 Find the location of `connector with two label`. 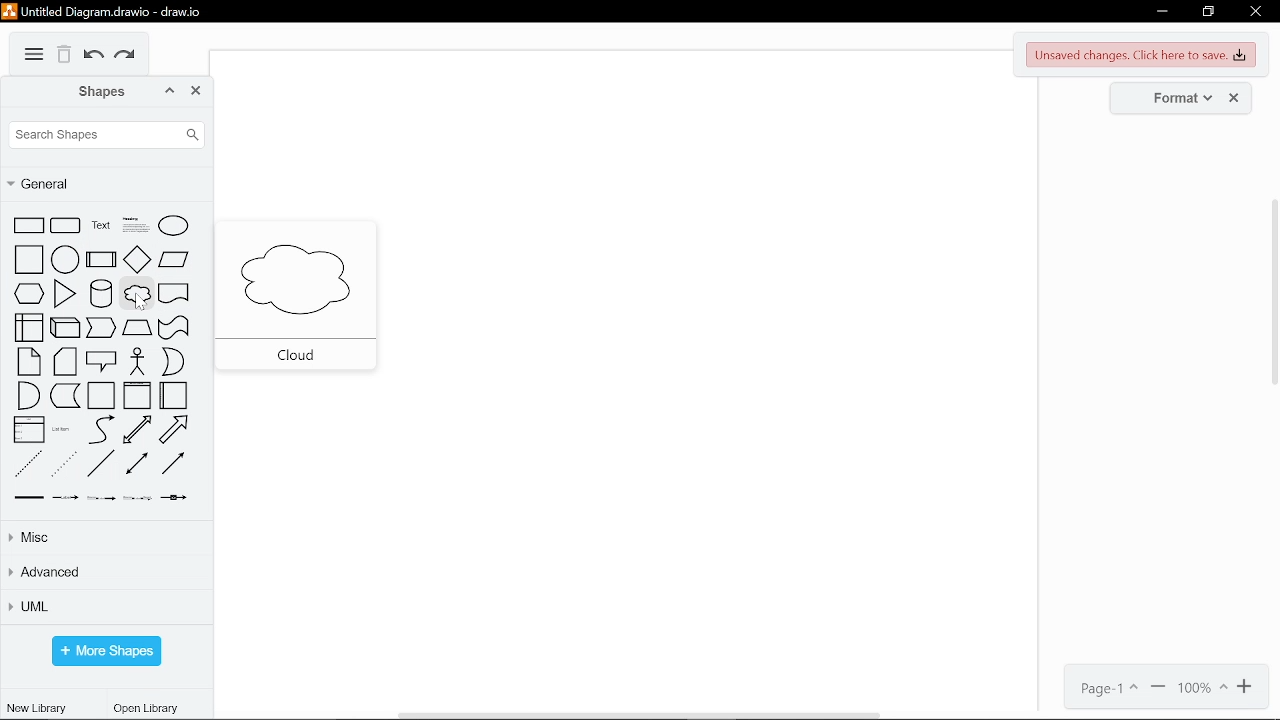

connector with two label is located at coordinates (103, 498).